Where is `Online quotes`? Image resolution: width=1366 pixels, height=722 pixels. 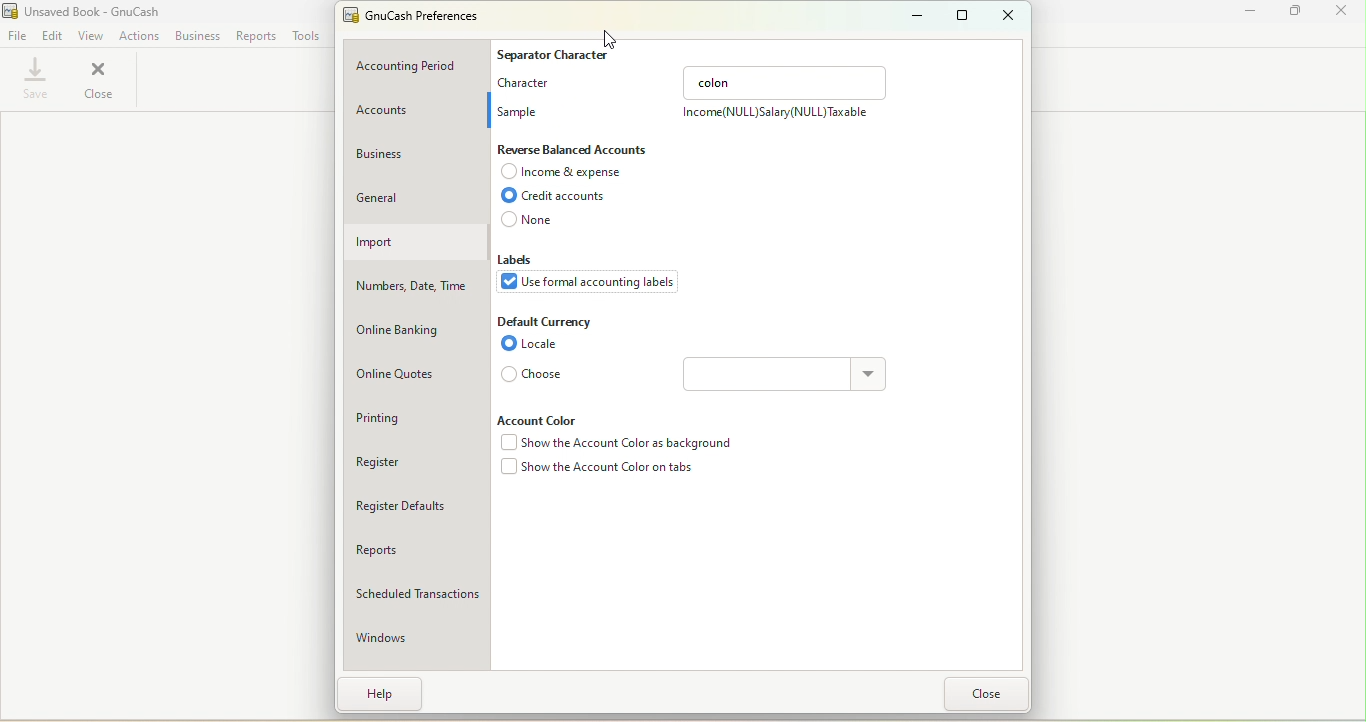
Online quotes is located at coordinates (412, 374).